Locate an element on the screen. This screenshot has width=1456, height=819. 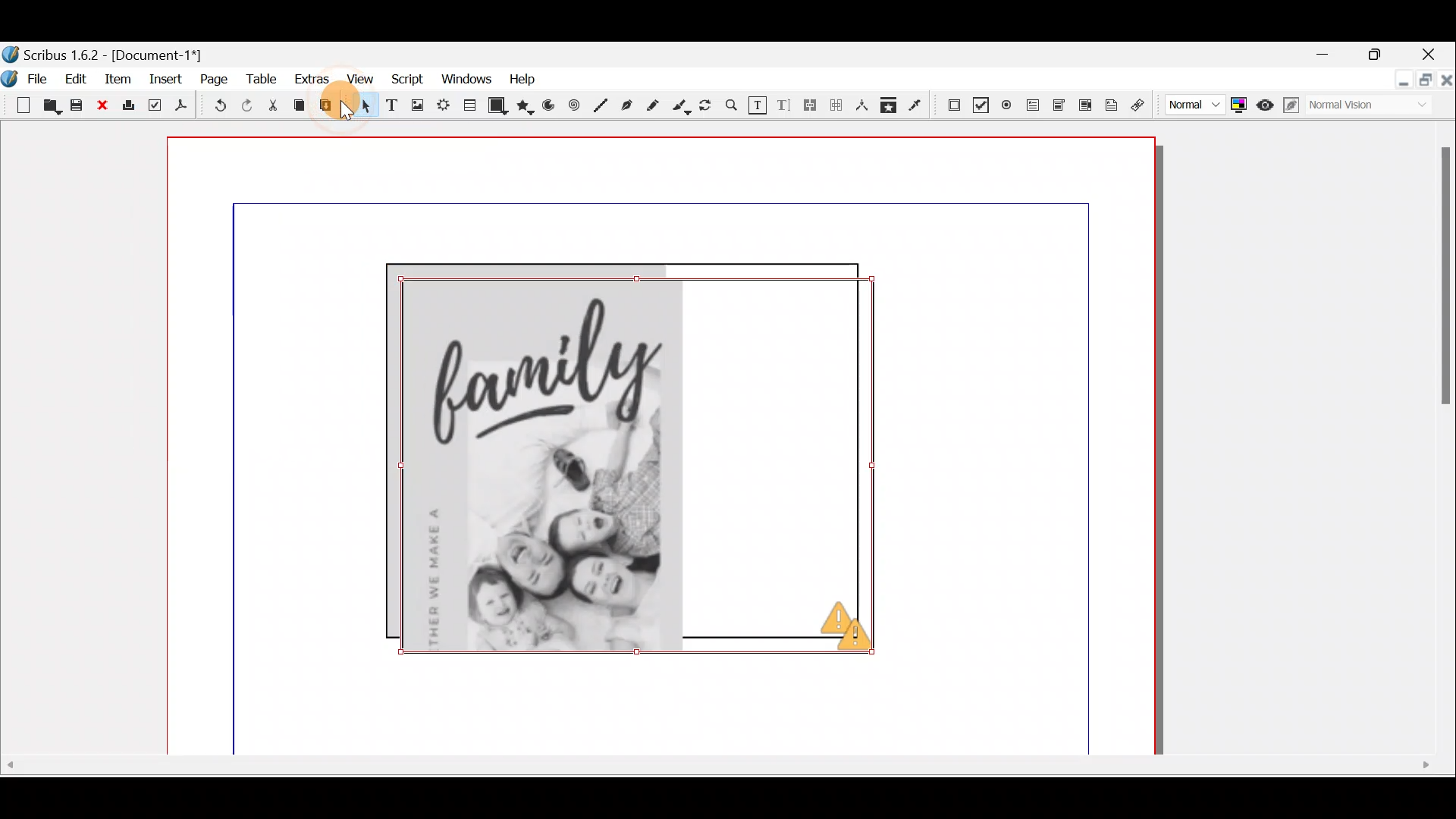
Print is located at coordinates (128, 107).